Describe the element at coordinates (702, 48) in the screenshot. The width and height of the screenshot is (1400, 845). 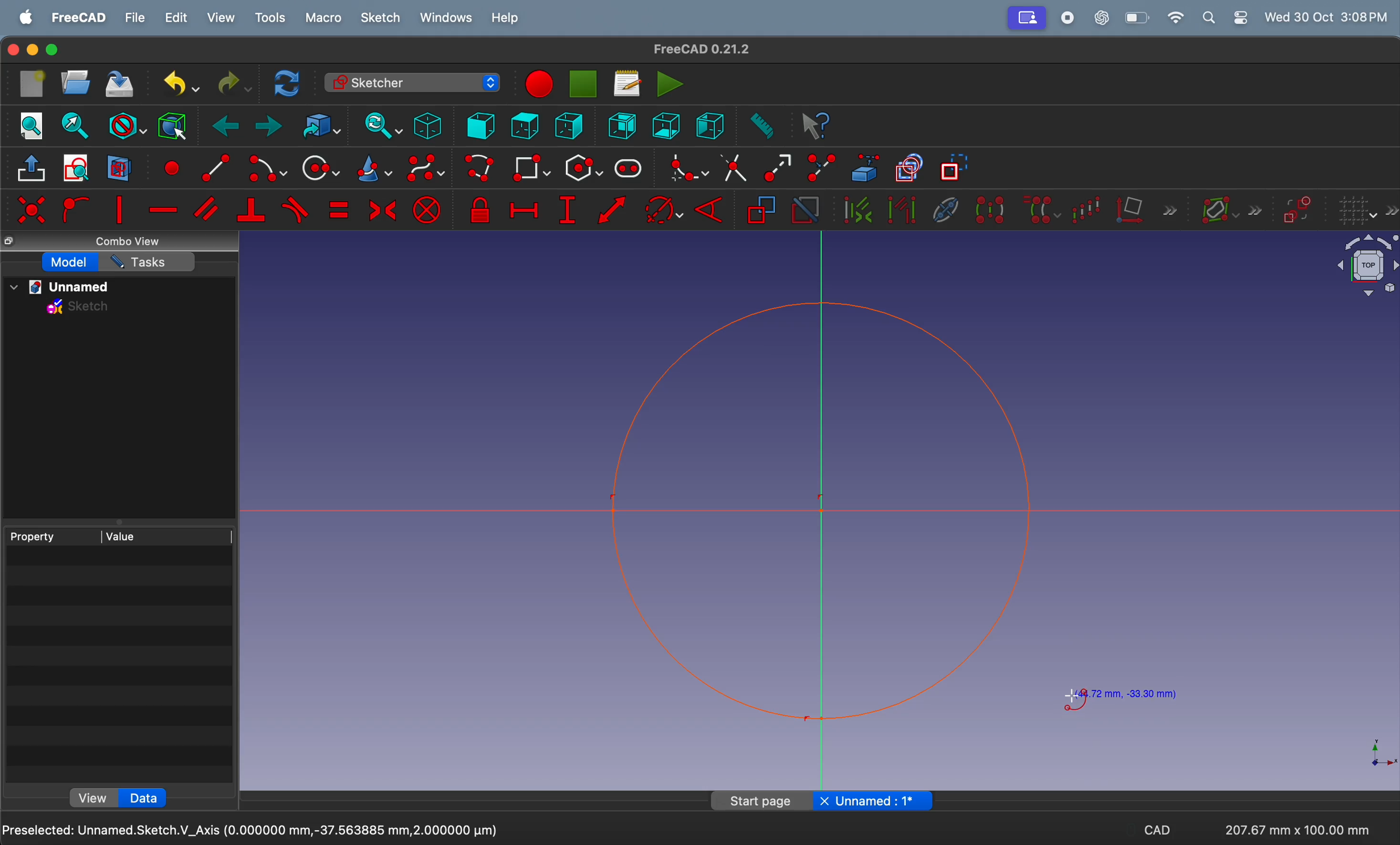
I see `FreeCAD 0.21.2` at that location.